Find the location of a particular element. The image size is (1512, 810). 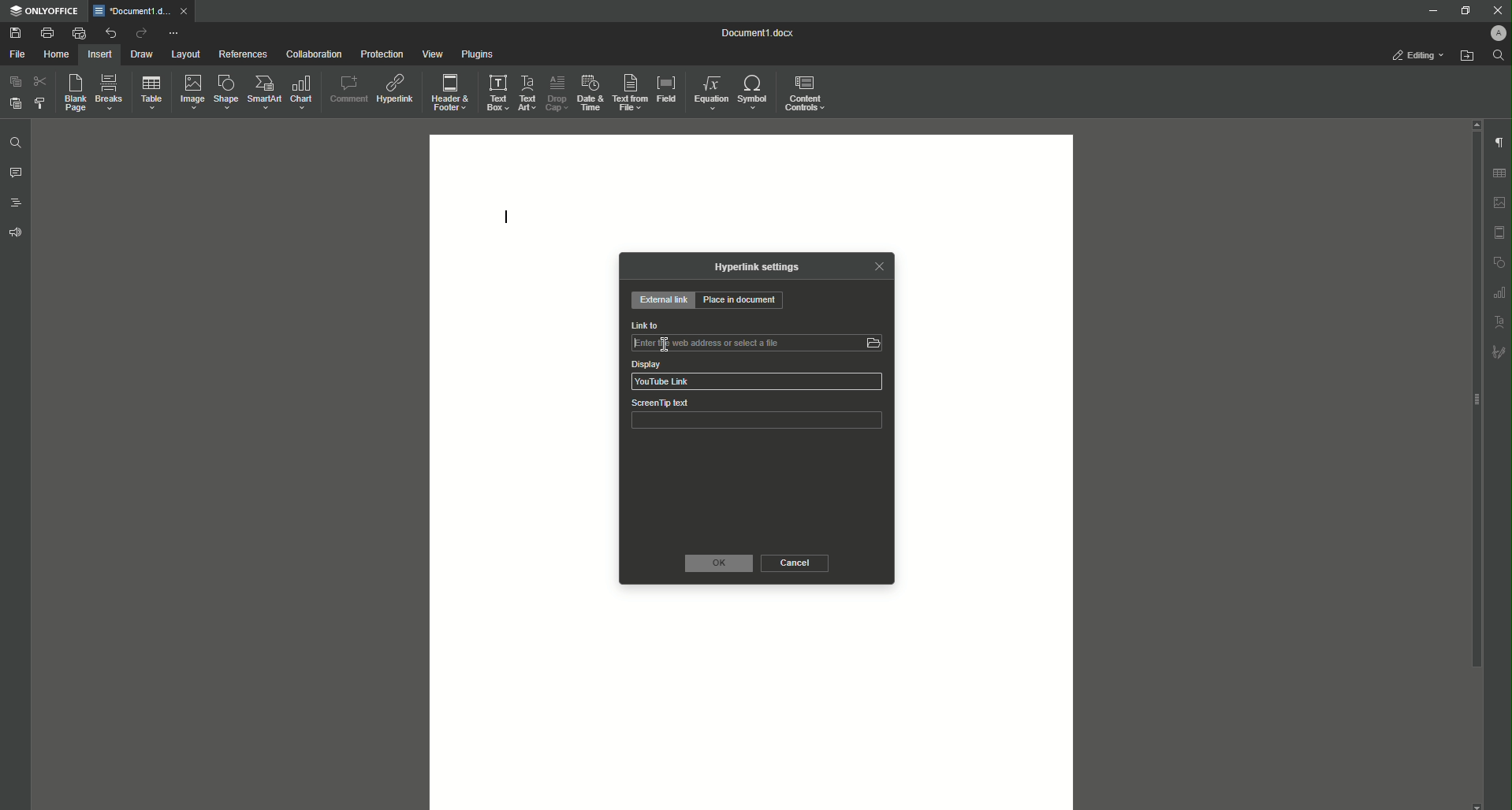

Redo is located at coordinates (140, 33).